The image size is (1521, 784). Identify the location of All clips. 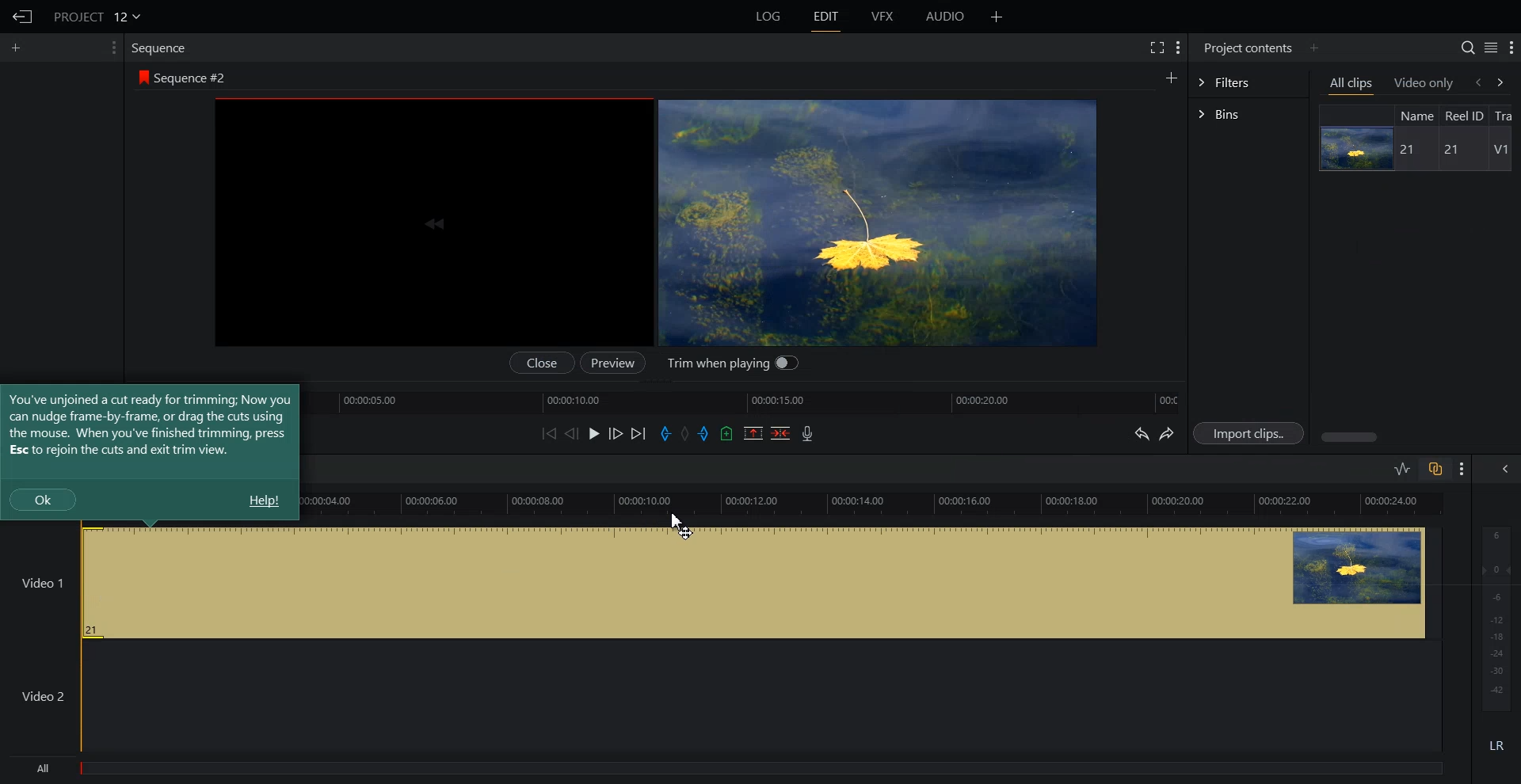
(1352, 84).